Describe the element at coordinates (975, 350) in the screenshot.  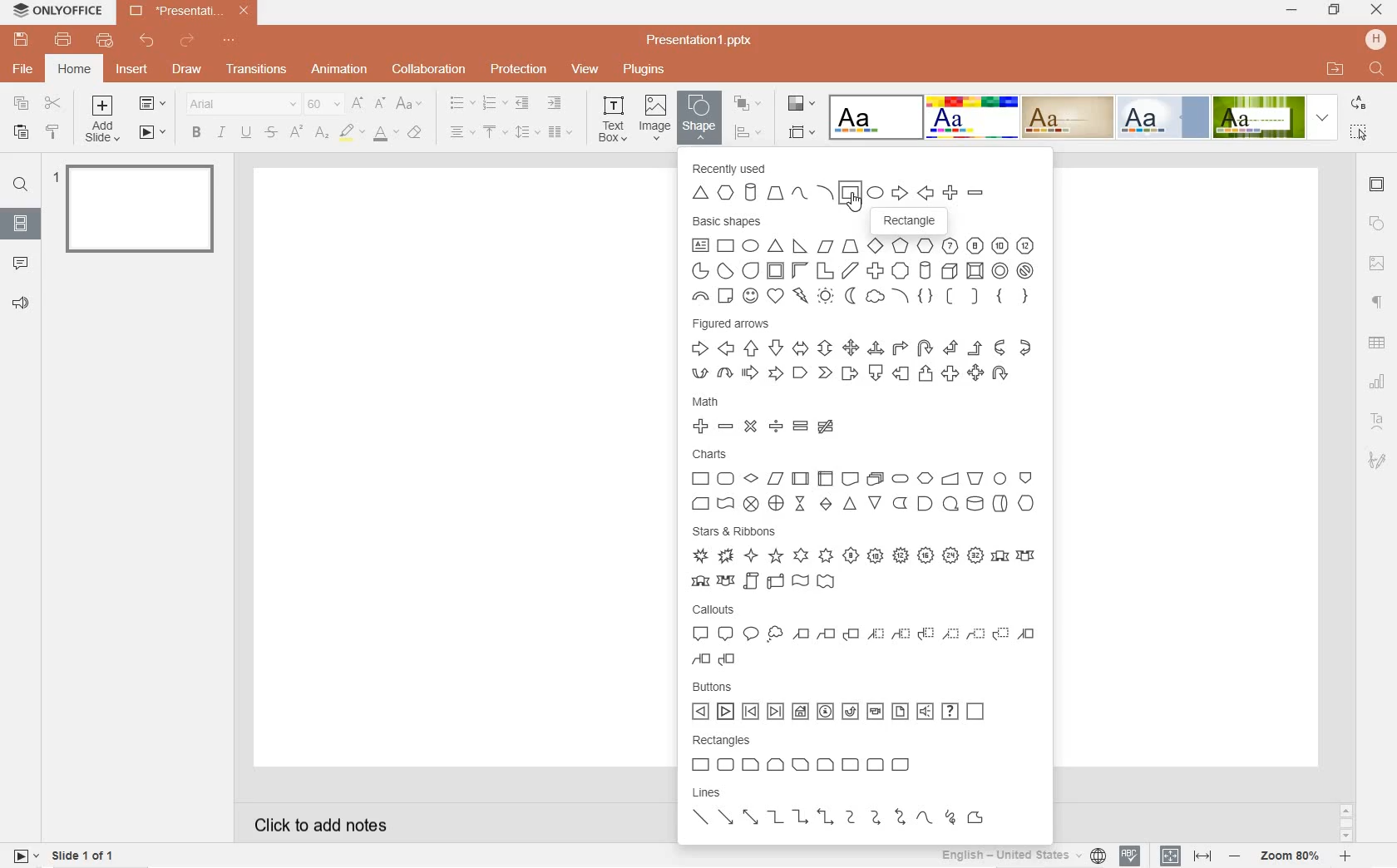
I see `Bent up arrow` at that location.